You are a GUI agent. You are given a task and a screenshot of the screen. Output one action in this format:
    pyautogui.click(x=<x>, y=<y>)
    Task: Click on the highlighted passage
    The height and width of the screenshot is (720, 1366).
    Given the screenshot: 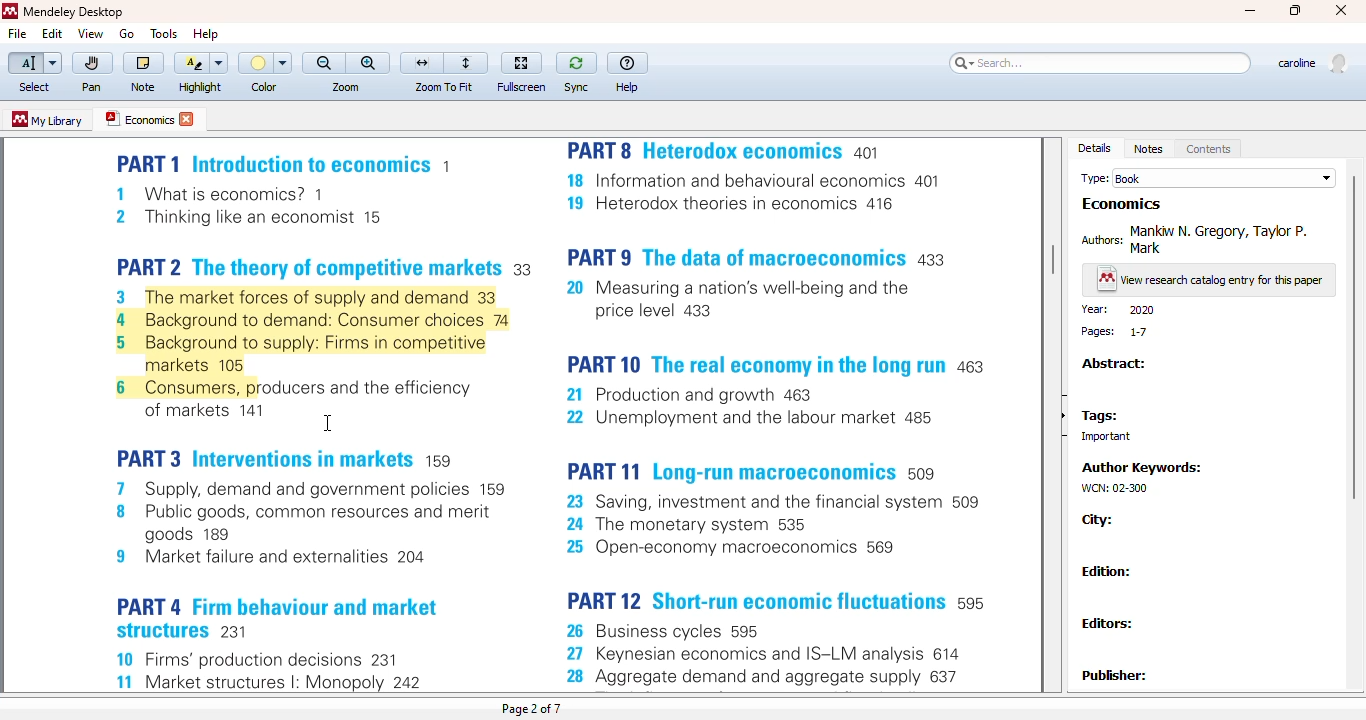 What is the action you would take?
    pyautogui.click(x=312, y=342)
    